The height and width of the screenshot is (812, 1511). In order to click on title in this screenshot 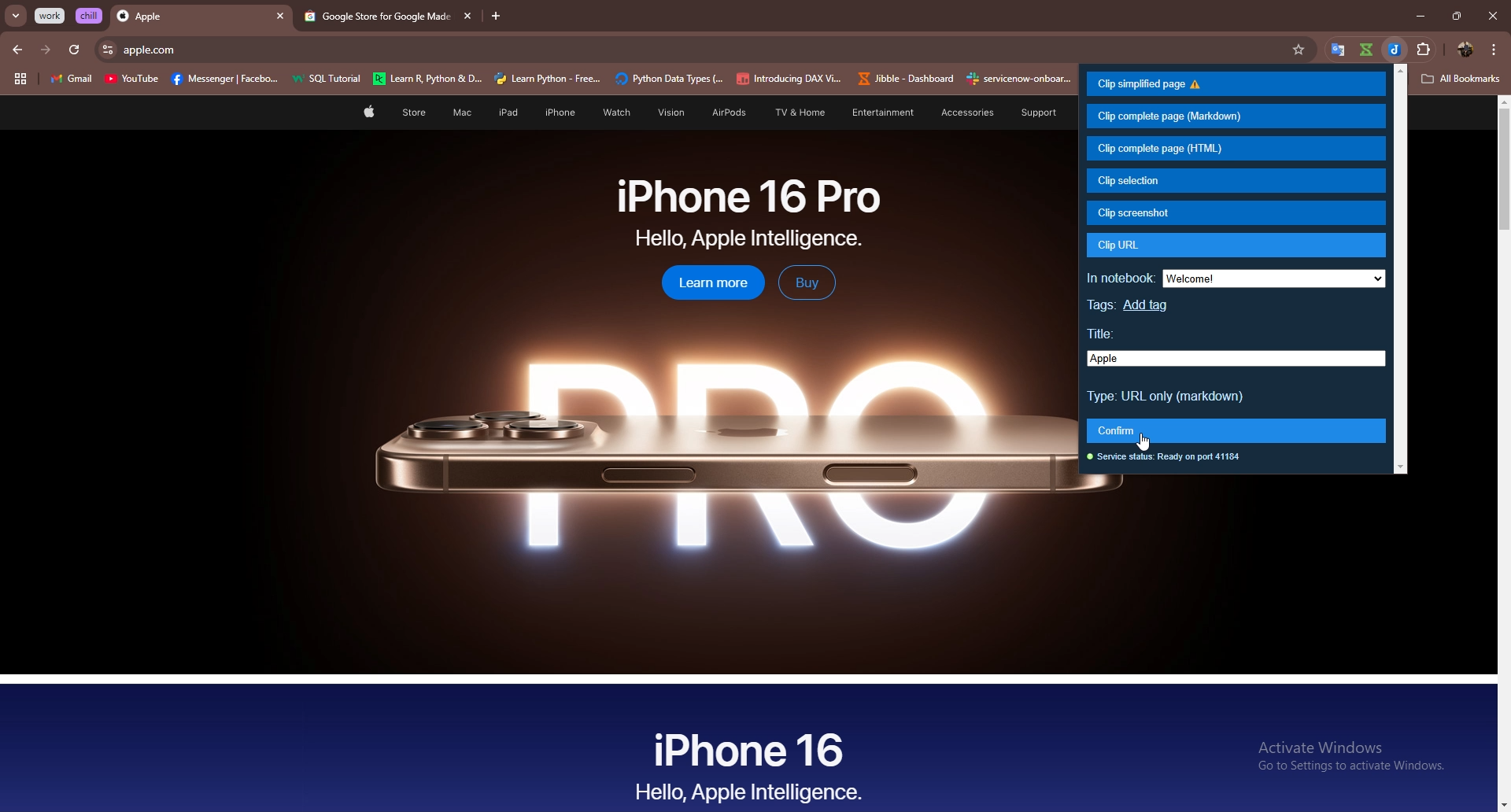, I will do `click(1236, 359)`.